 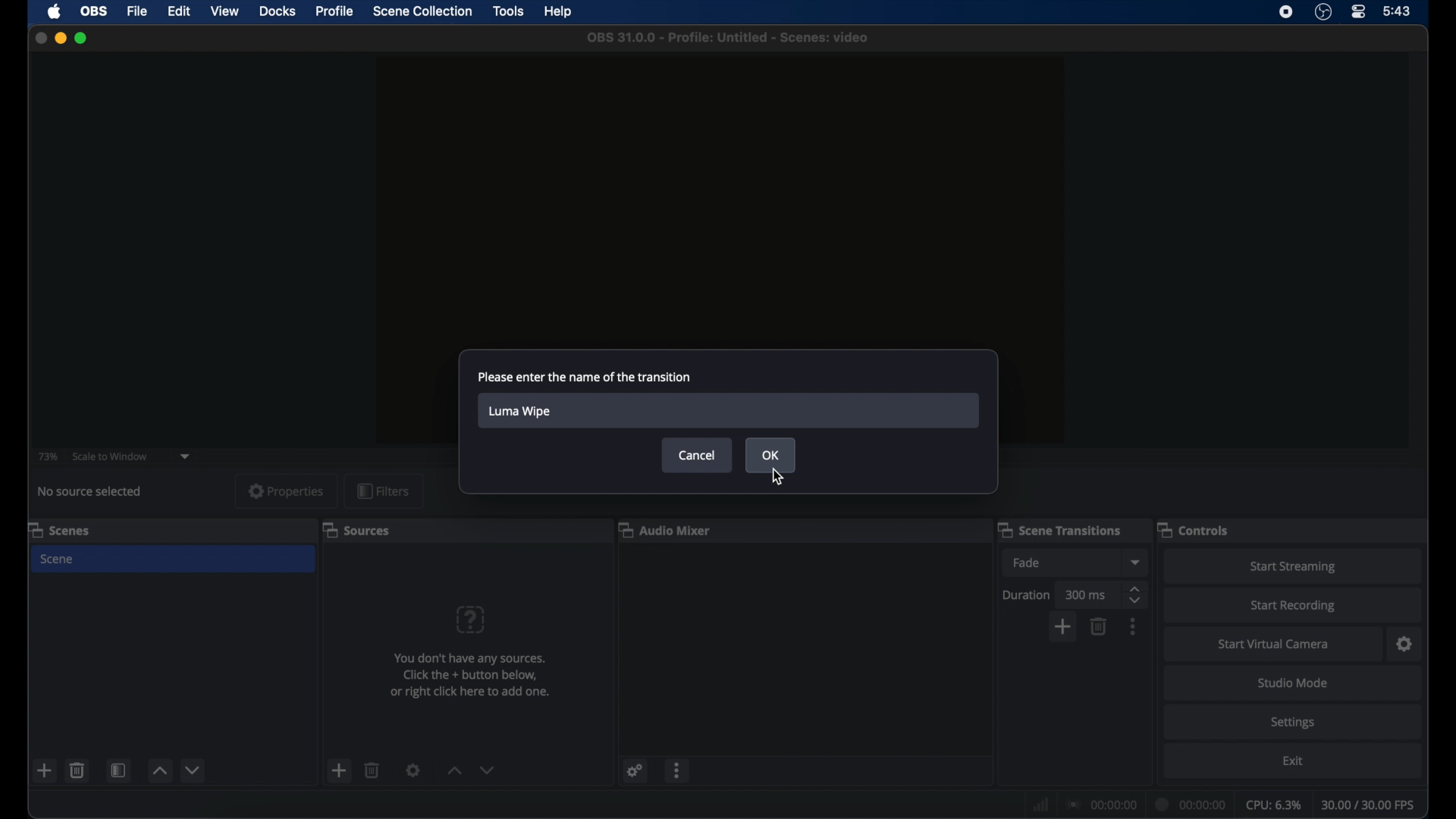 What do you see at coordinates (1133, 626) in the screenshot?
I see `more options` at bounding box center [1133, 626].